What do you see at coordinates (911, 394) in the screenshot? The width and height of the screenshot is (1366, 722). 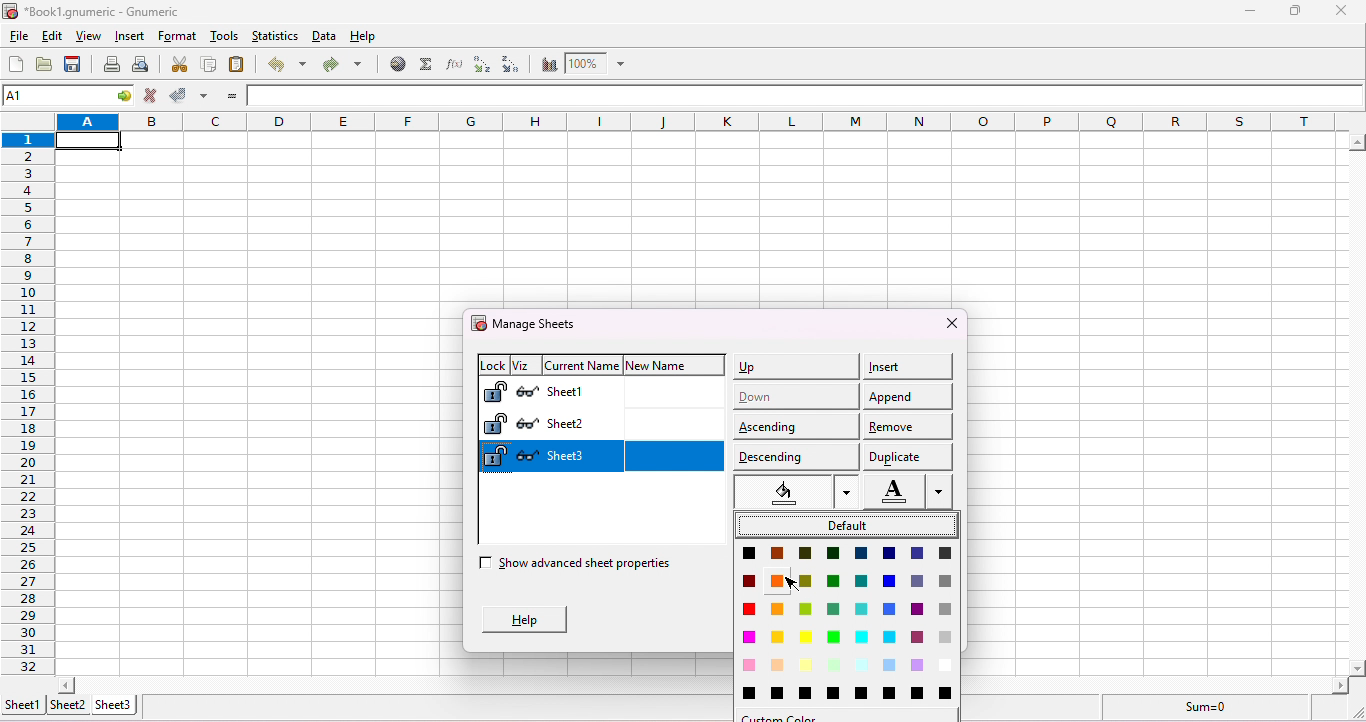 I see `append` at bounding box center [911, 394].